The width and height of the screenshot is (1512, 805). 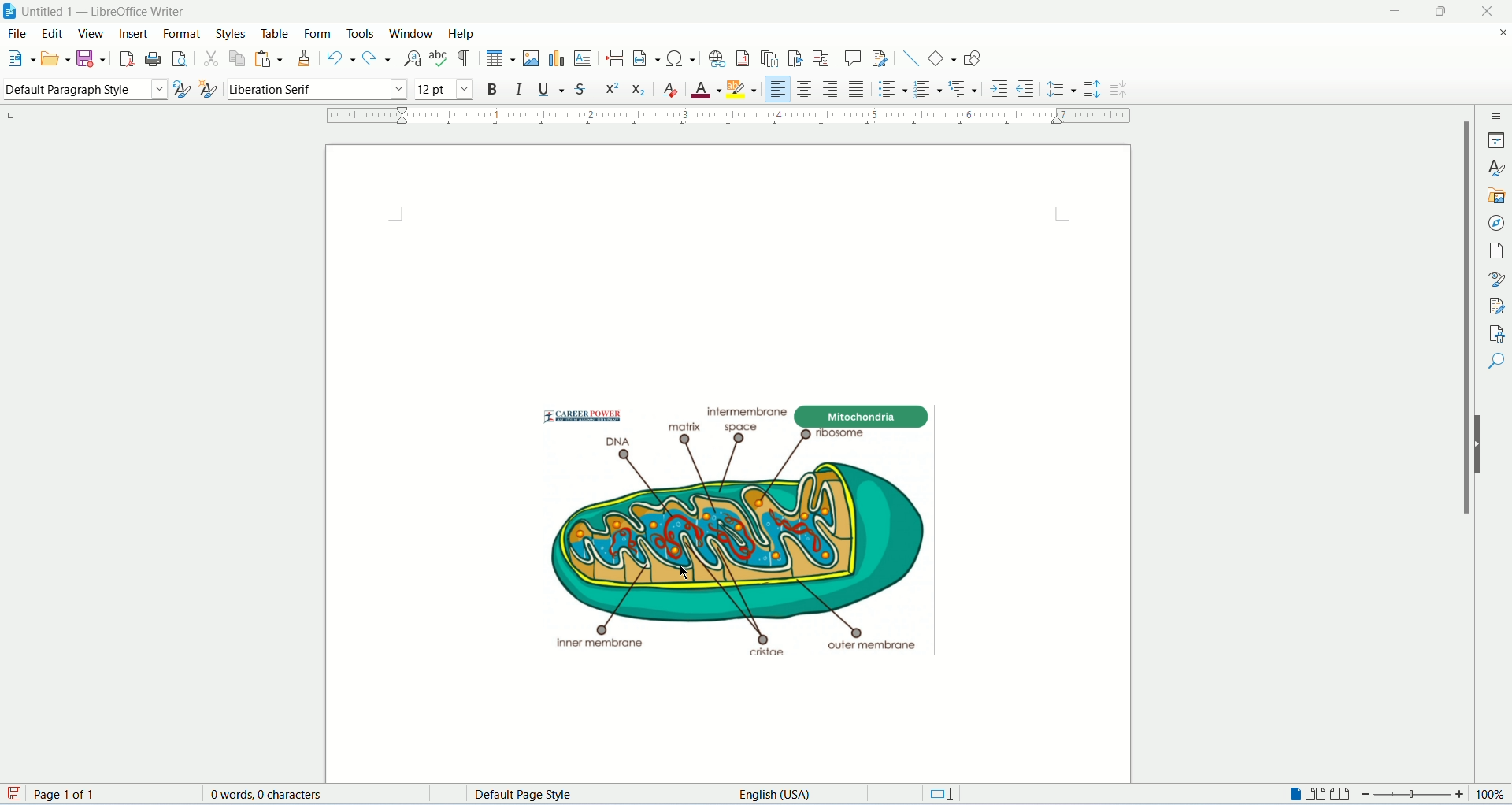 What do you see at coordinates (501, 59) in the screenshot?
I see `insert table` at bounding box center [501, 59].